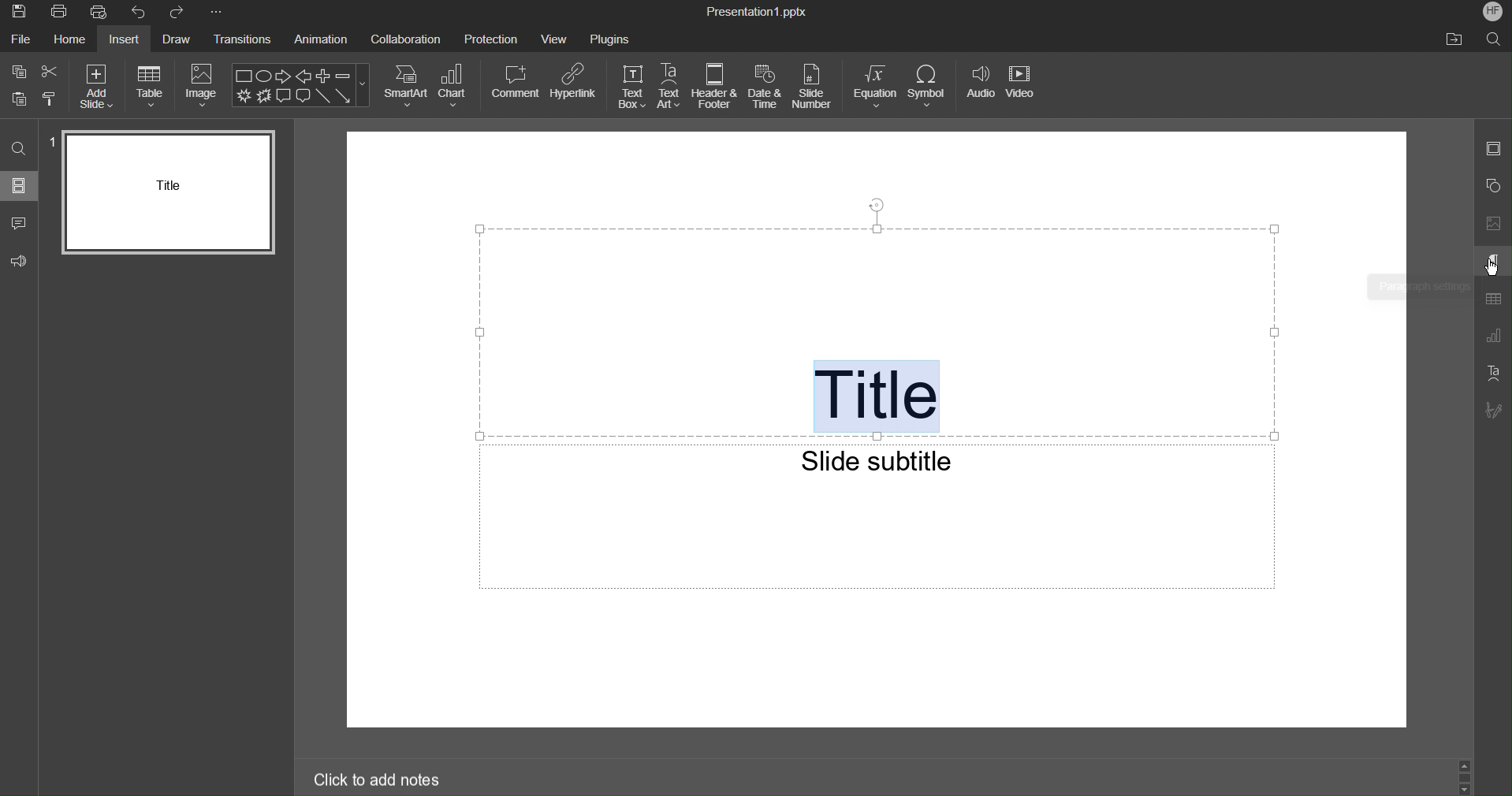  What do you see at coordinates (409, 42) in the screenshot?
I see `Collaboration` at bounding box center [409, 42].